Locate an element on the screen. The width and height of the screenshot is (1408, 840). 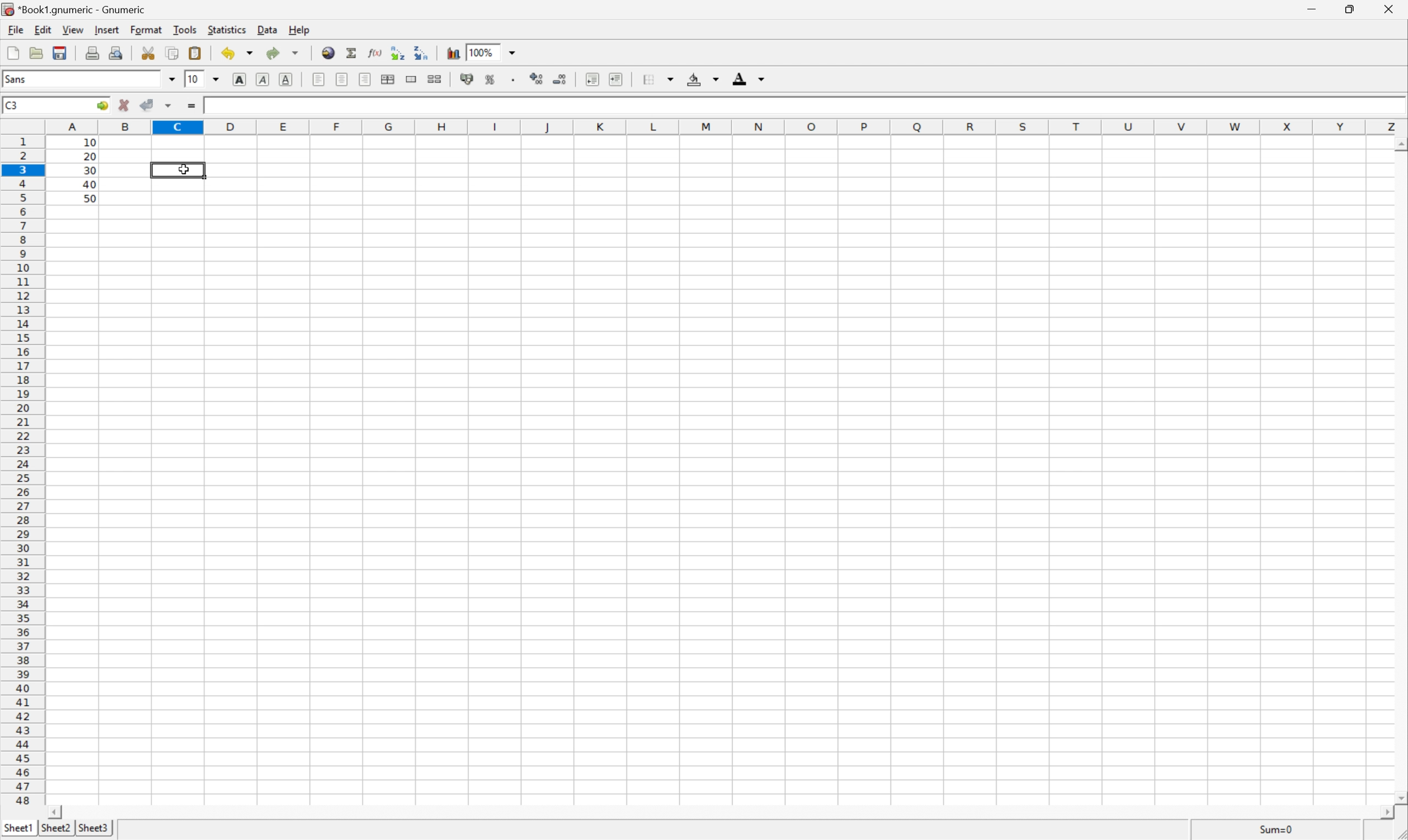
Sort the selected region in descending order based on the first column selected is located at coordinates (423, 53).